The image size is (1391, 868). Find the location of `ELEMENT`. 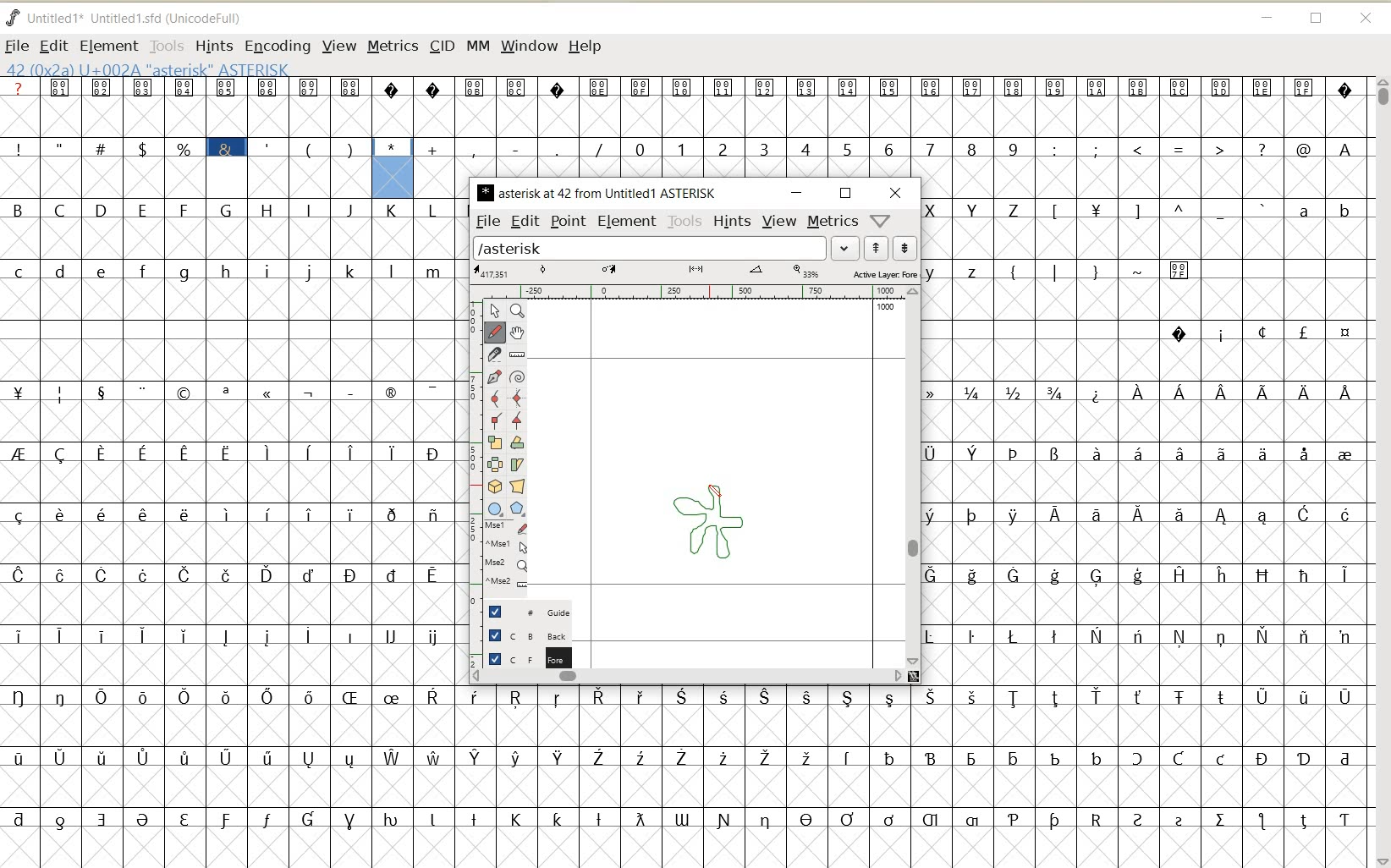

ELEMENT is located at coordinates (629, 222).